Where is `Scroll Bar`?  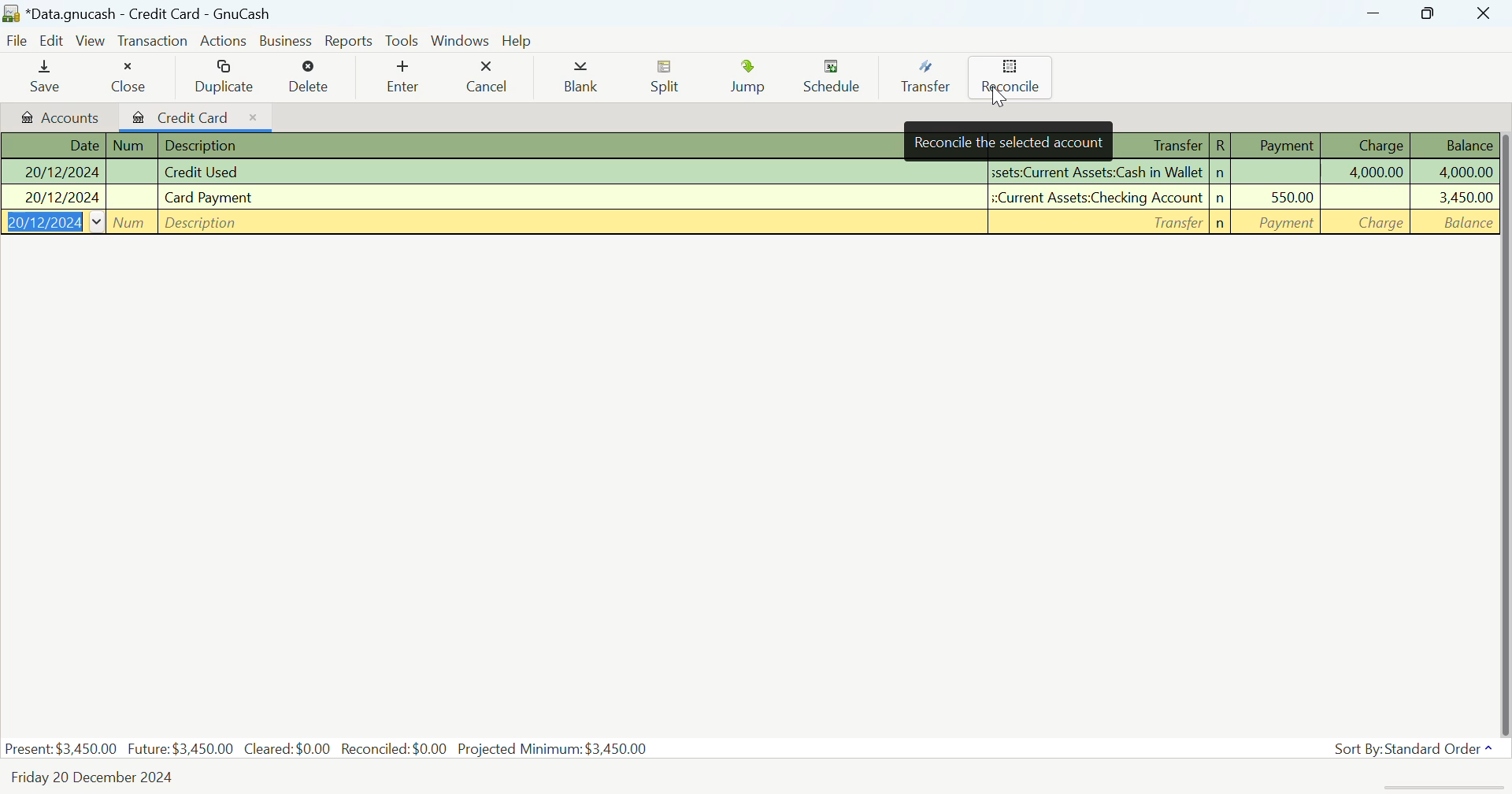 Scroll Bar is located at coordinates (1503, 430).